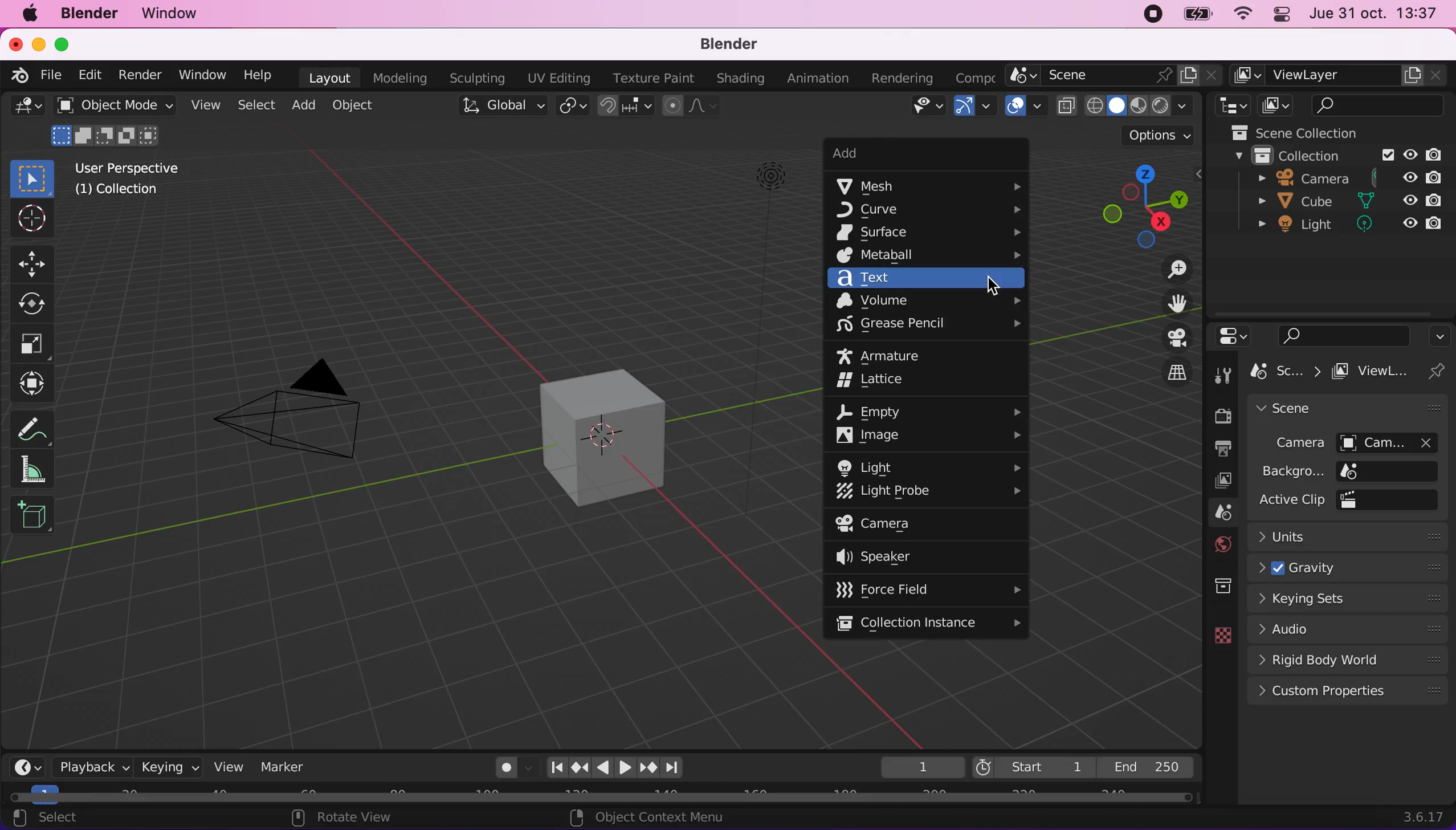  What do you see at coordinates (733, 44) in the screenshot?
I see `blender` at bounding box center [733, 44].